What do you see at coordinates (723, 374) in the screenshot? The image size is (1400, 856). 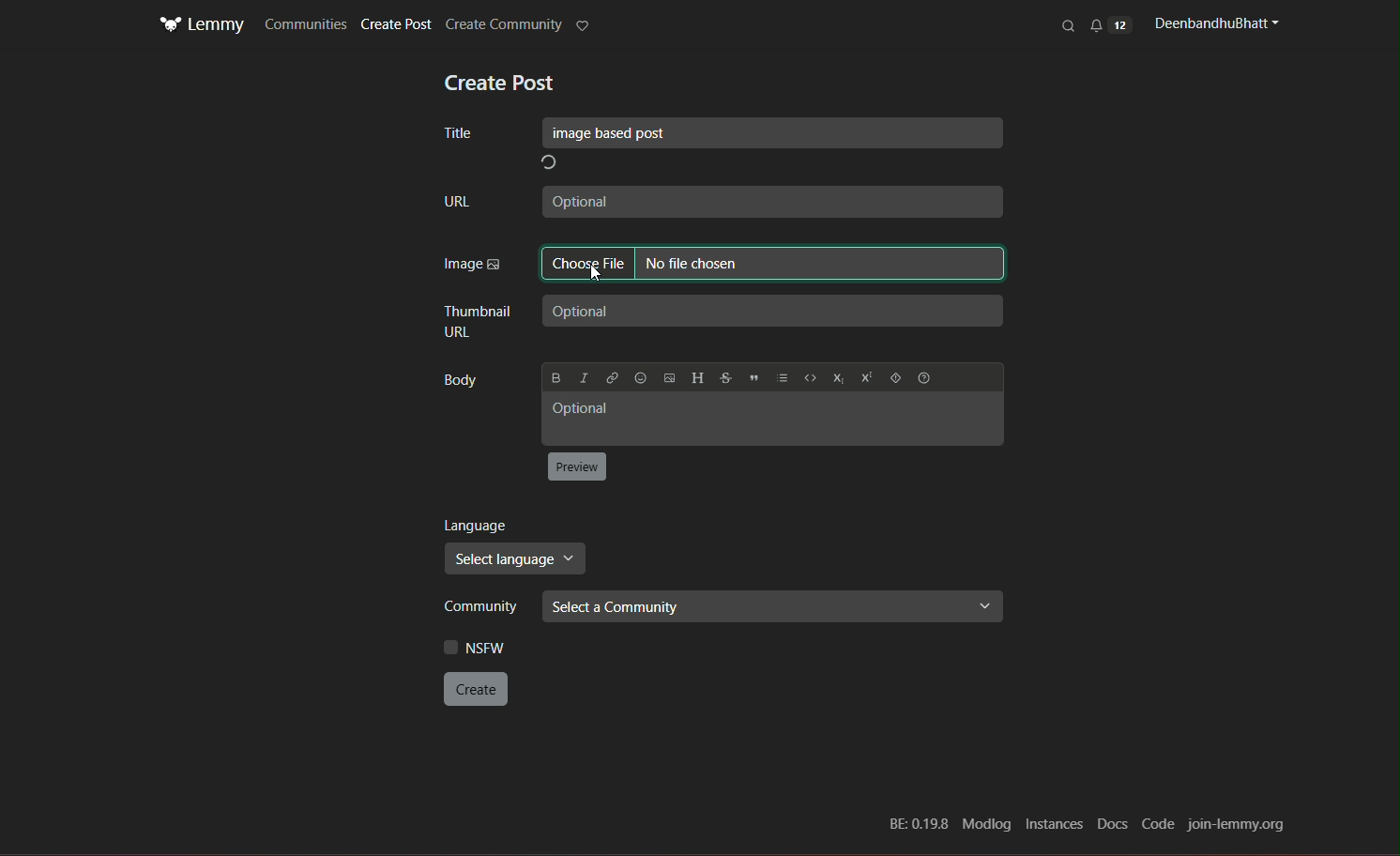 I see `Strikethrough` at bounding box center [723, 374].